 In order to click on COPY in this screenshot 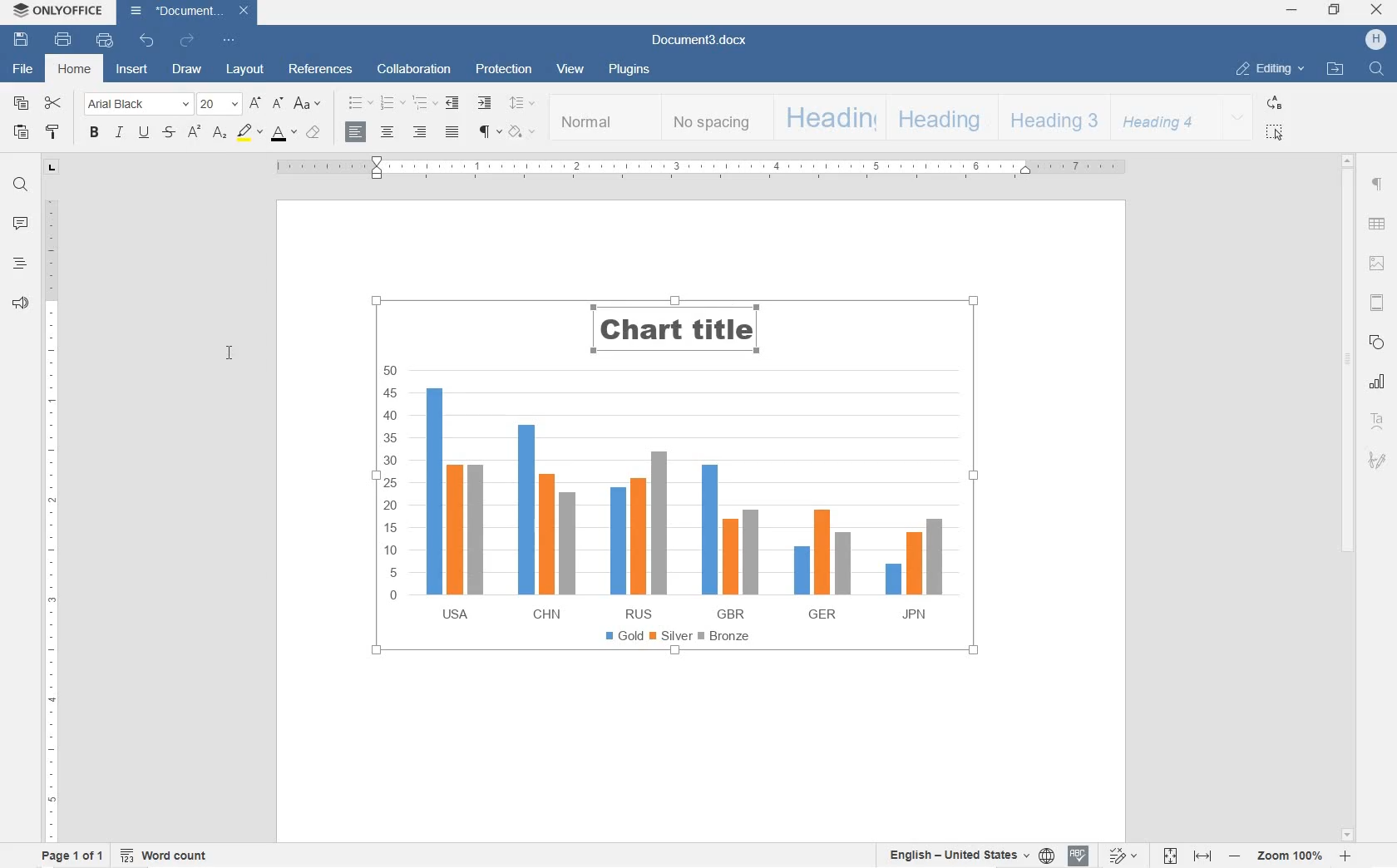, I will do `click(20, 104)`.